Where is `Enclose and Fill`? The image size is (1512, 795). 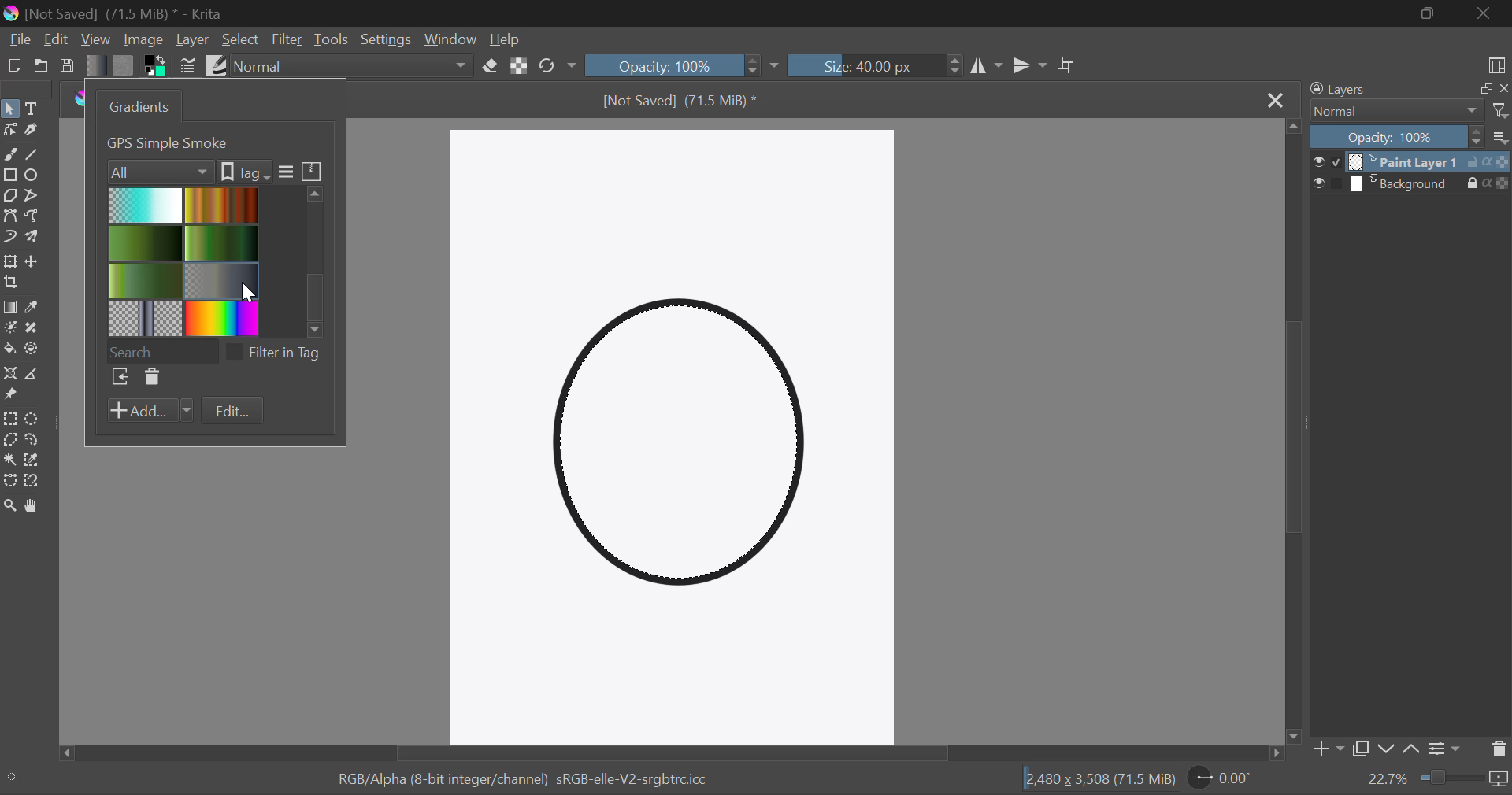 Enclose and Fill is located at coordinates (37, 349).